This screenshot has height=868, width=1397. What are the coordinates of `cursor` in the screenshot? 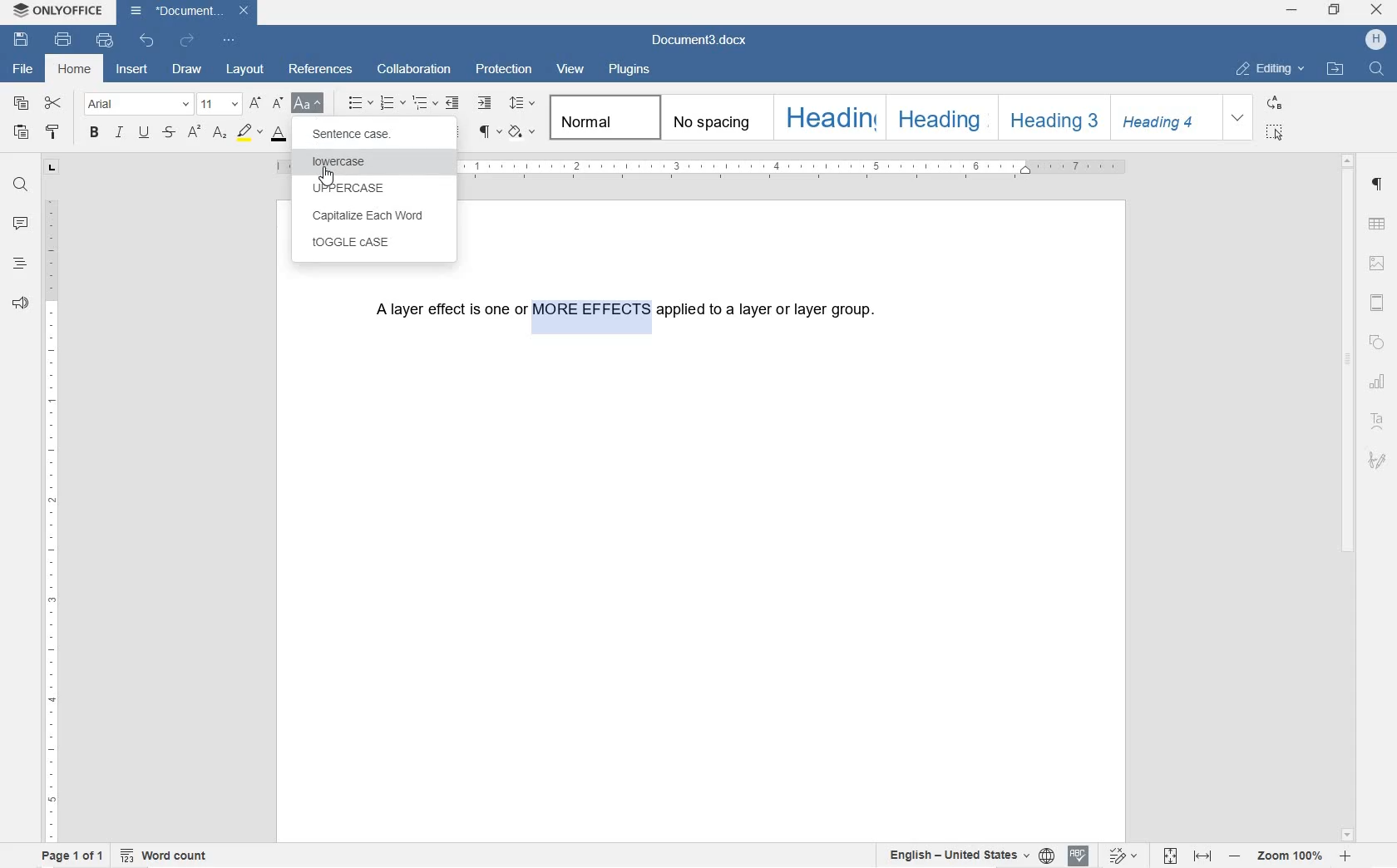 It's located at (327, 178).